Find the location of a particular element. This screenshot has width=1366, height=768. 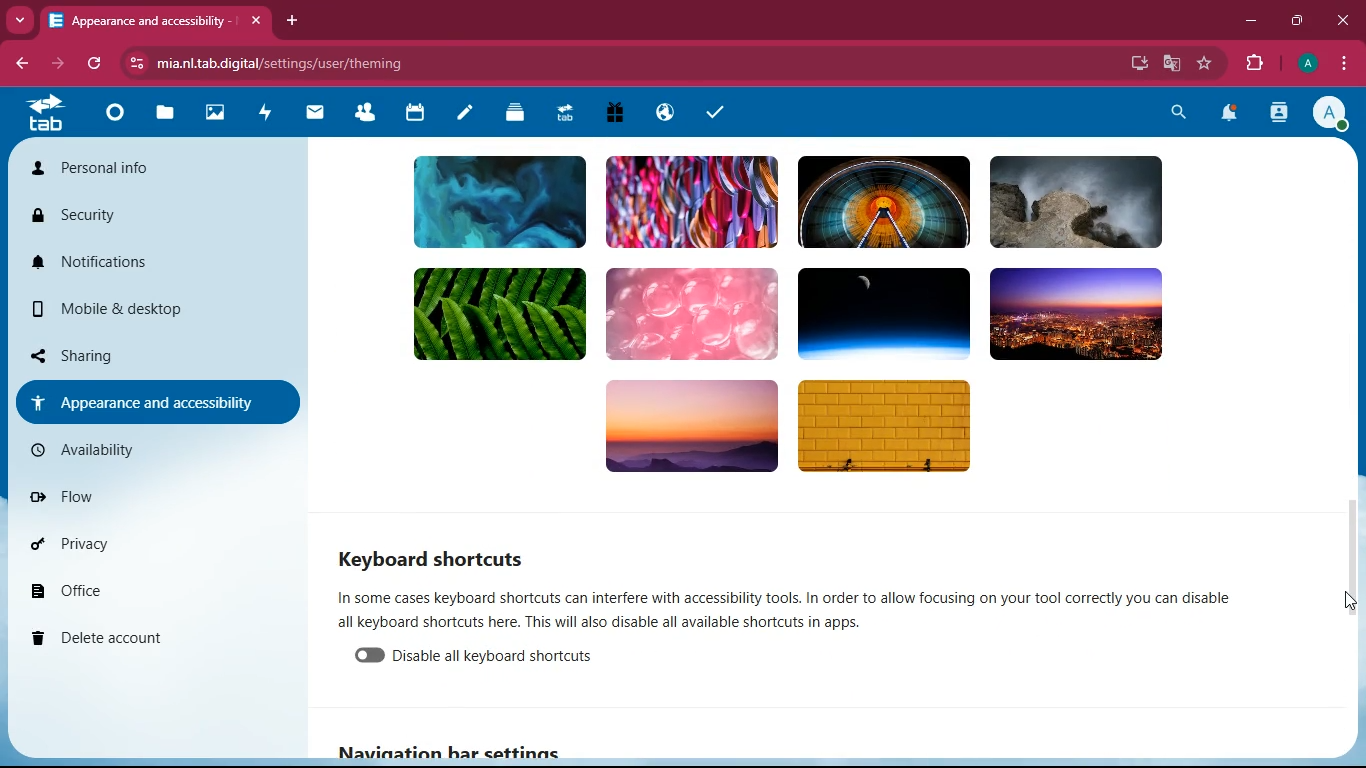

keyboard is located at coordinates (437, 555).